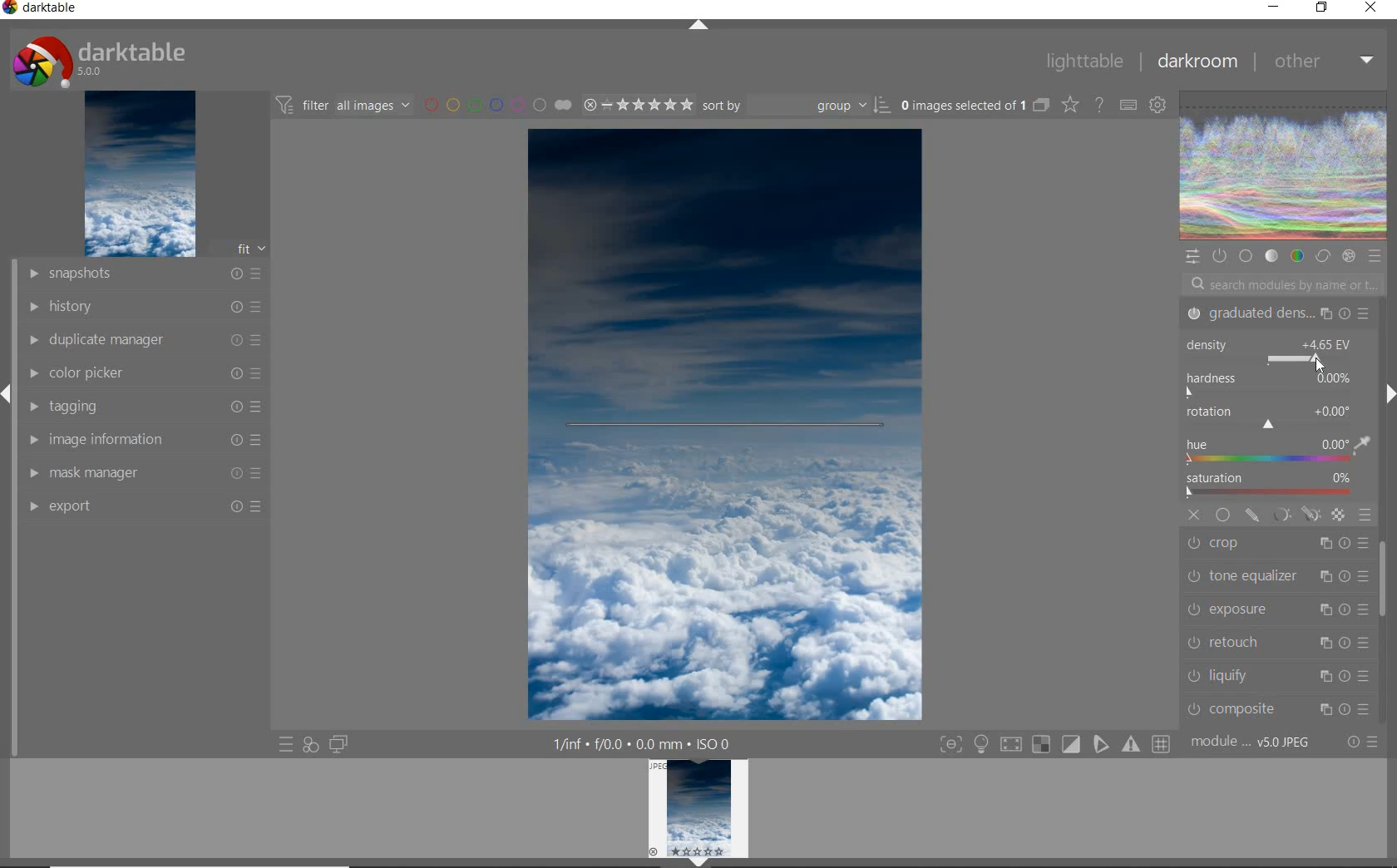  I want to click on DISPLAY A SECOND DARKROOM DISPLAY, so click(338, 745).